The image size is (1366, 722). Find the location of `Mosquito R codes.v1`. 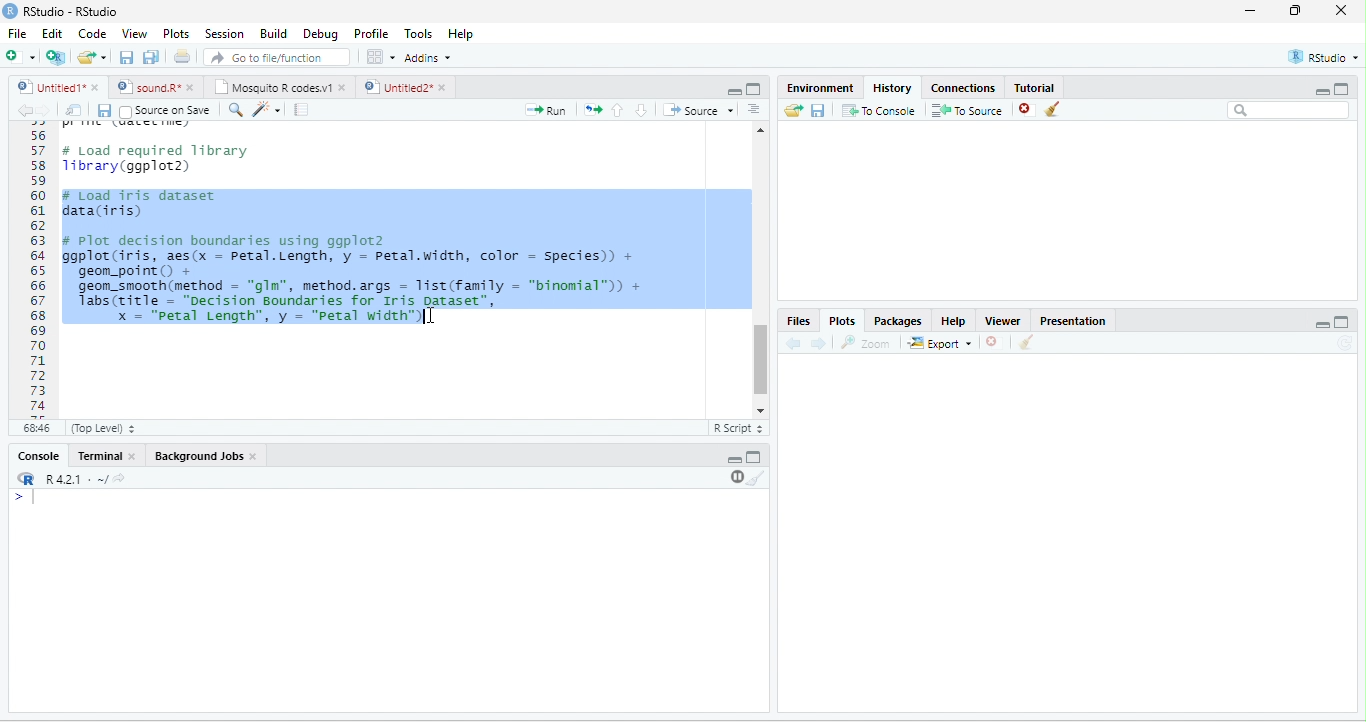

Mosquito R codes.v1 is located at coordinates (271, 87).